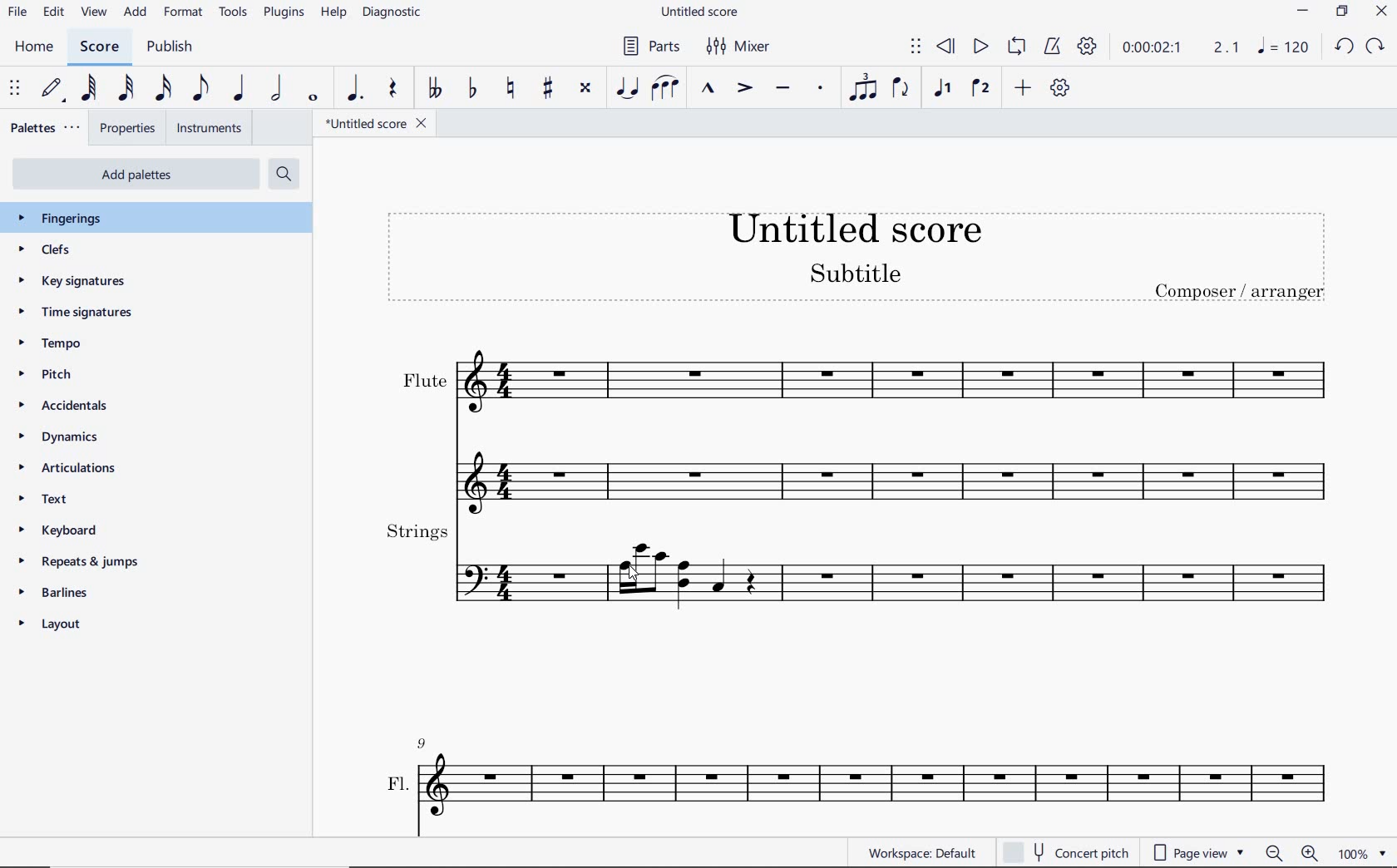 This screenshot has width=1397, height=868. What do you see at coordinates (53, 89) in the screenshot?
I see `default (step time)` at bounding box center [53, 89].